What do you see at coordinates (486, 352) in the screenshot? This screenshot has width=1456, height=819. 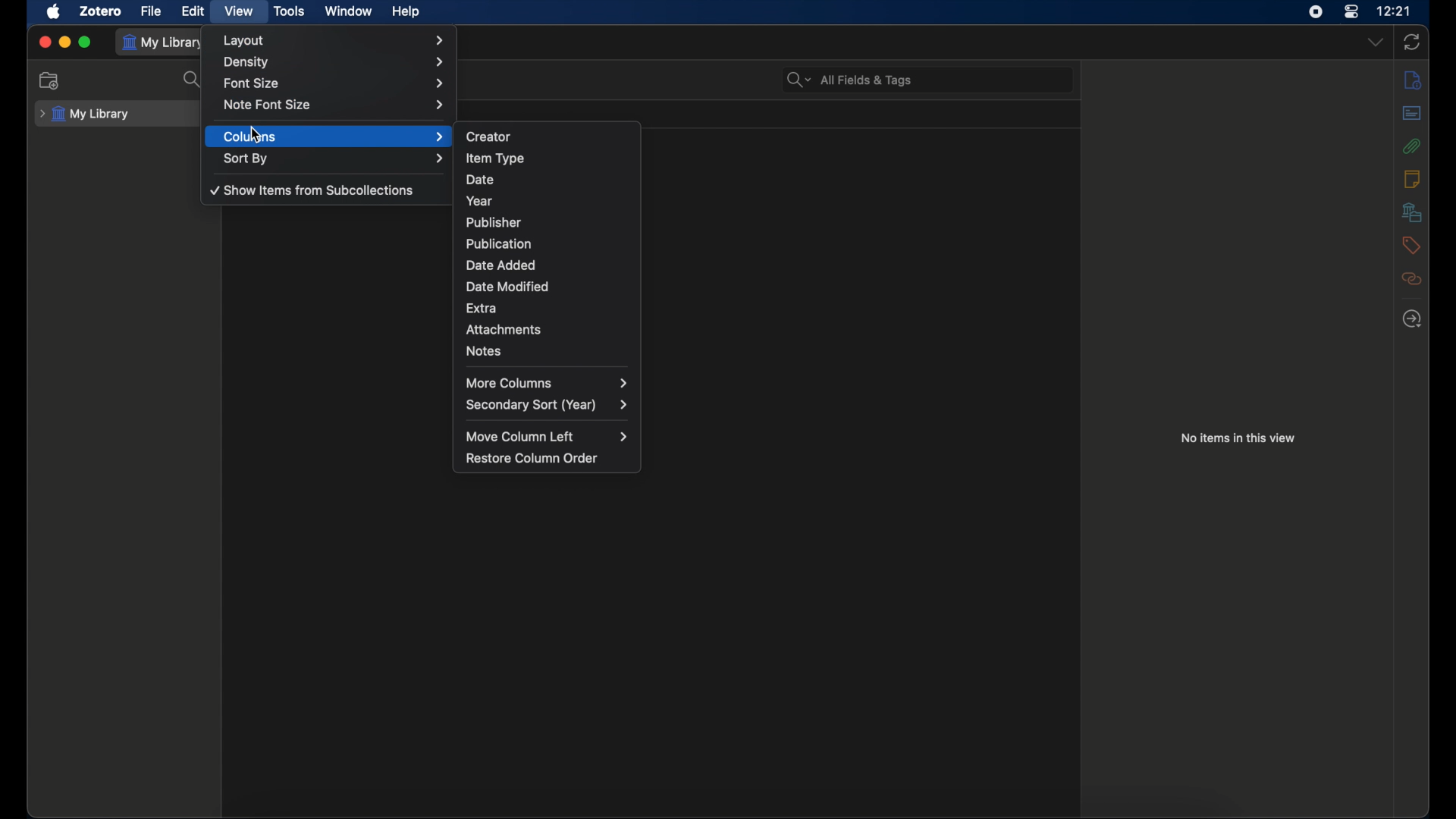 I see `notes` at bounding box center [486, 352].